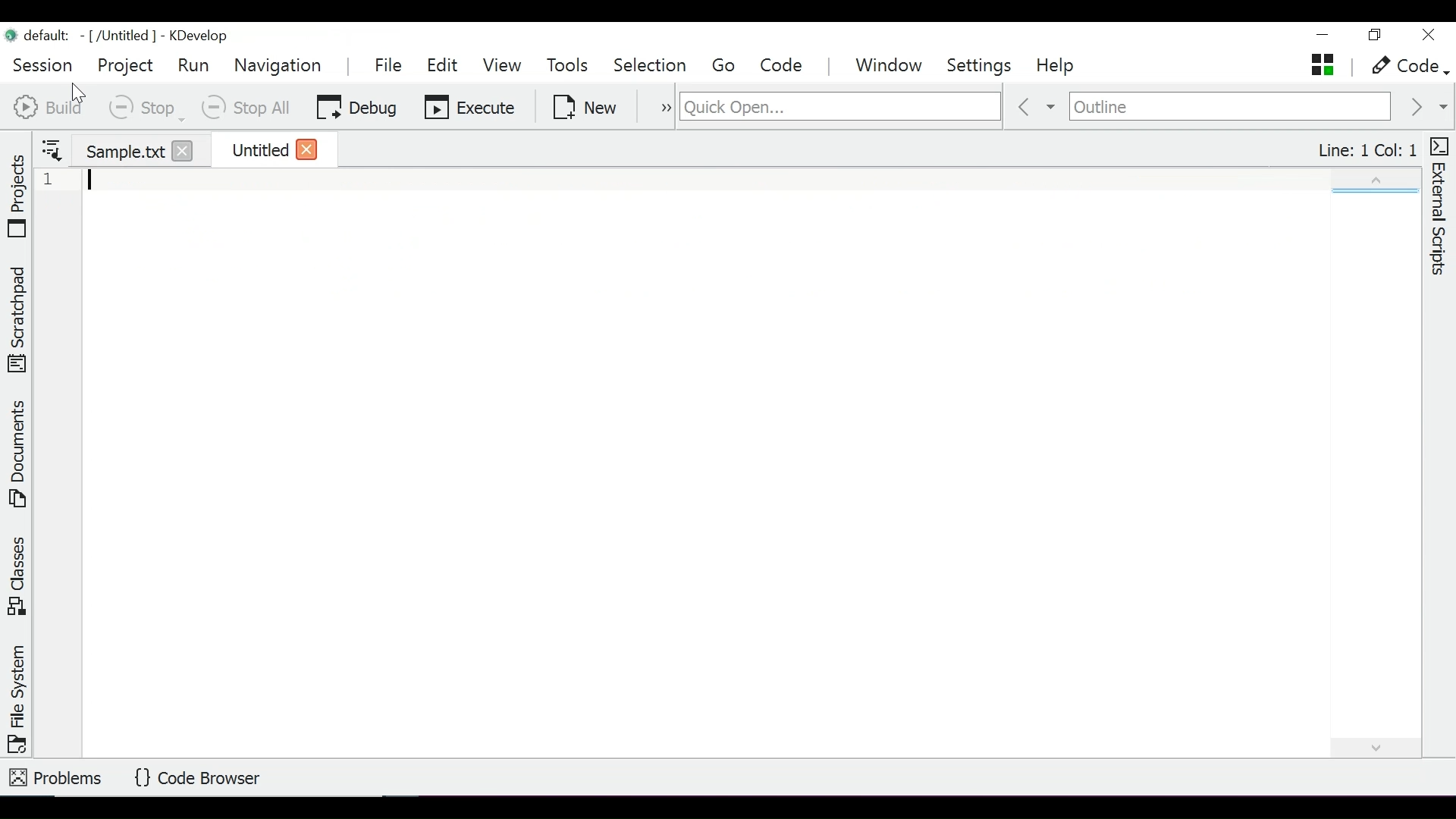 The image size is (1456, 819). What do you see at coordinates (306, 149) in the screenshot?
I see `Close` at bounding box center [306, 149].